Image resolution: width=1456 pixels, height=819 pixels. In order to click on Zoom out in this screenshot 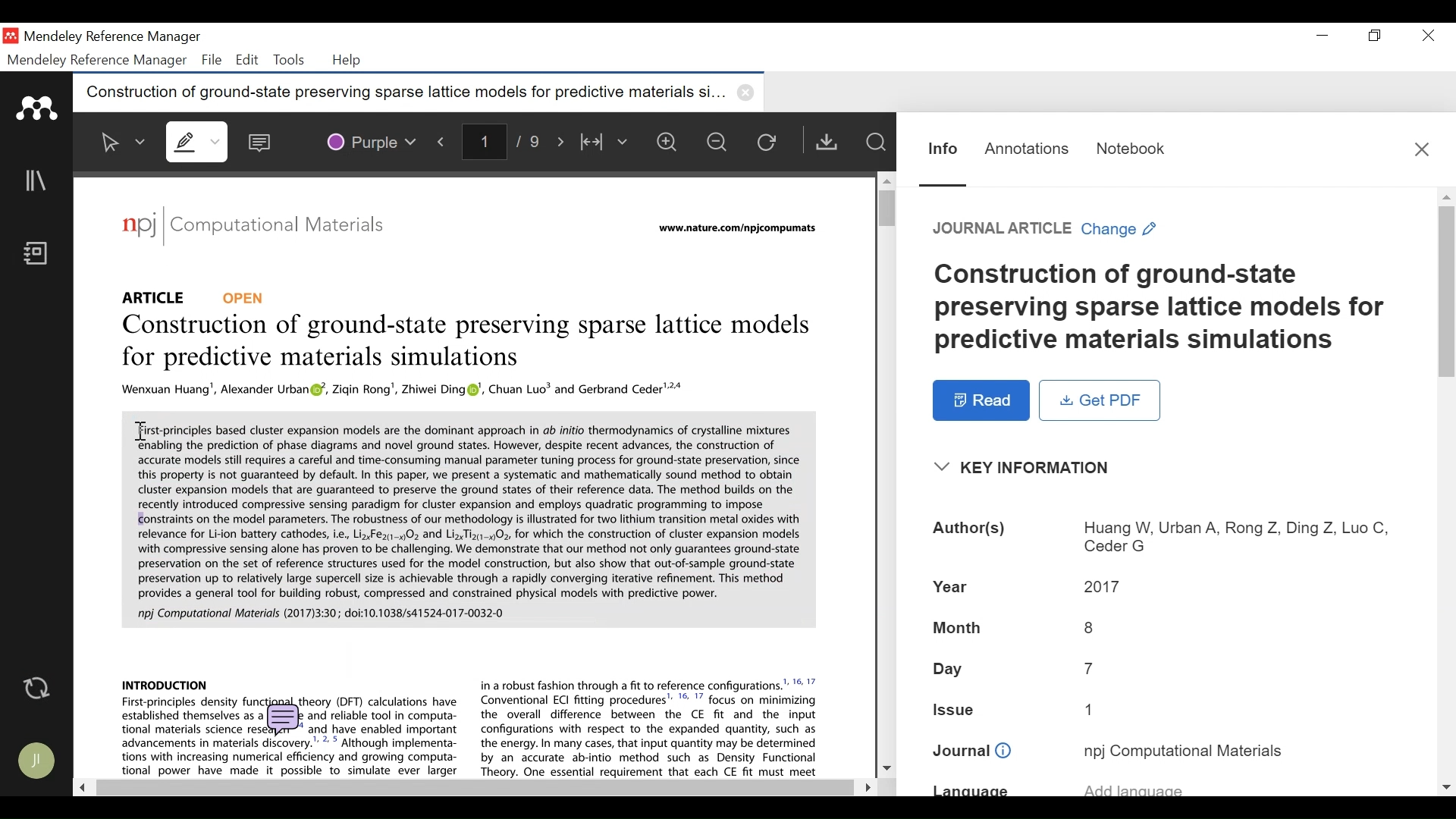, I will do `click(718, 141)`.